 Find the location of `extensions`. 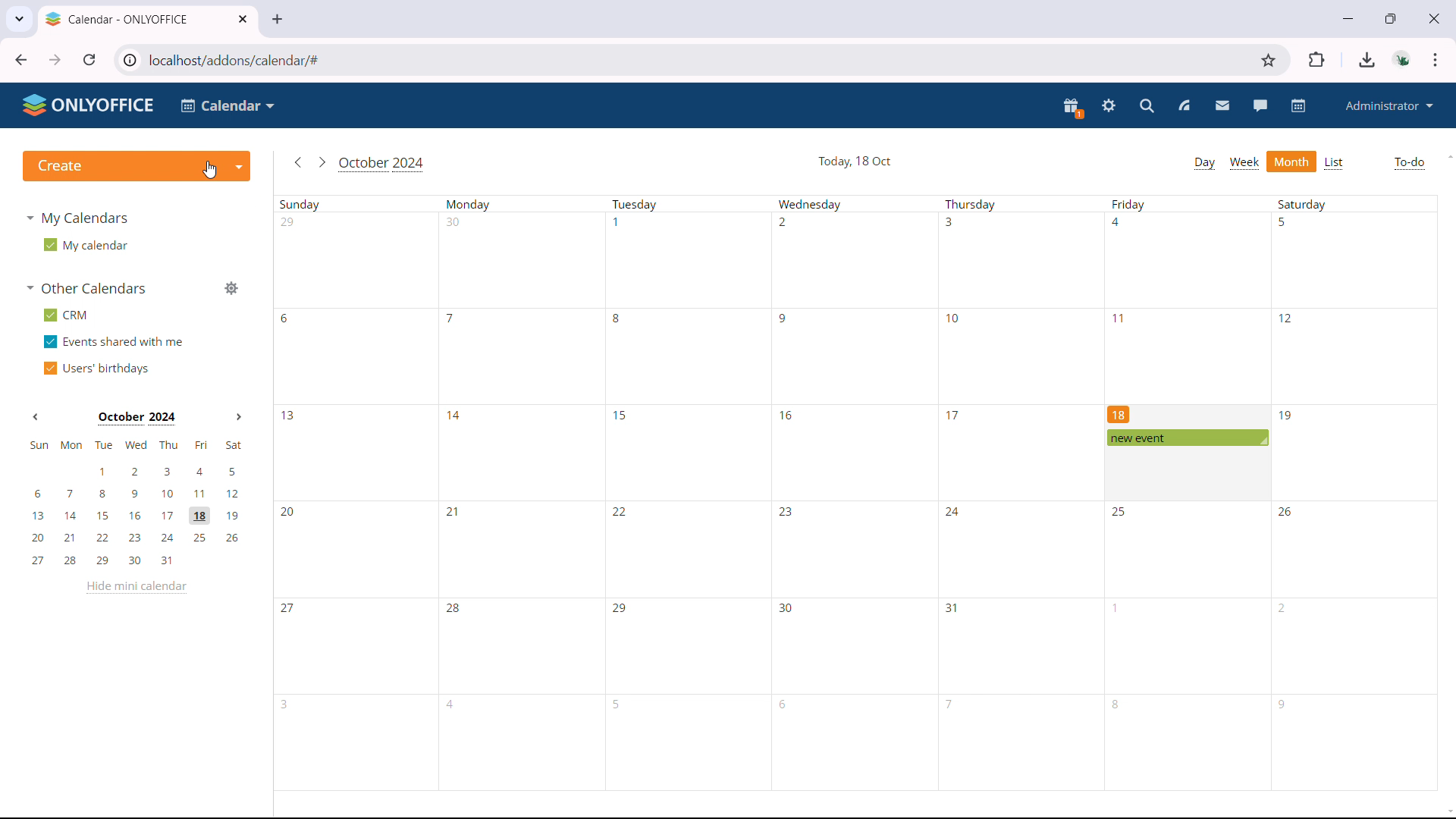

extensions is located at coordinates (1318, 59).